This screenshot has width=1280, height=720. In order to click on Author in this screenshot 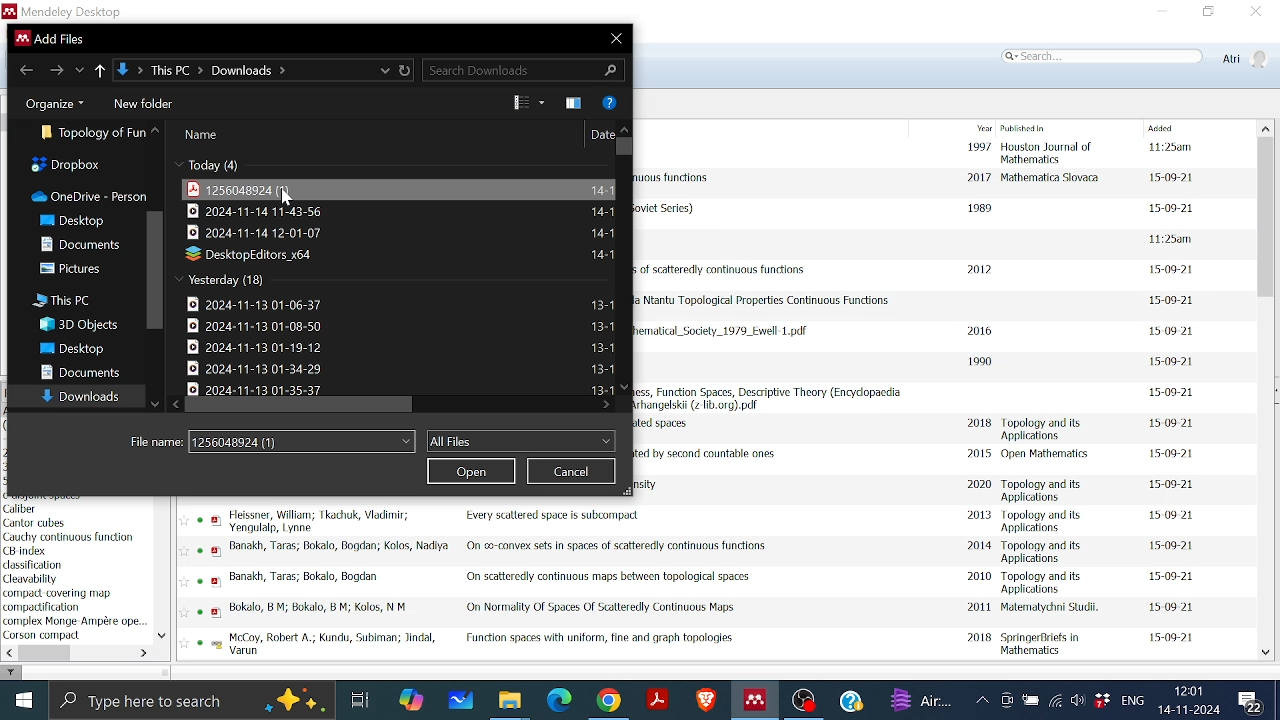, I will do `click(328, 521)`.